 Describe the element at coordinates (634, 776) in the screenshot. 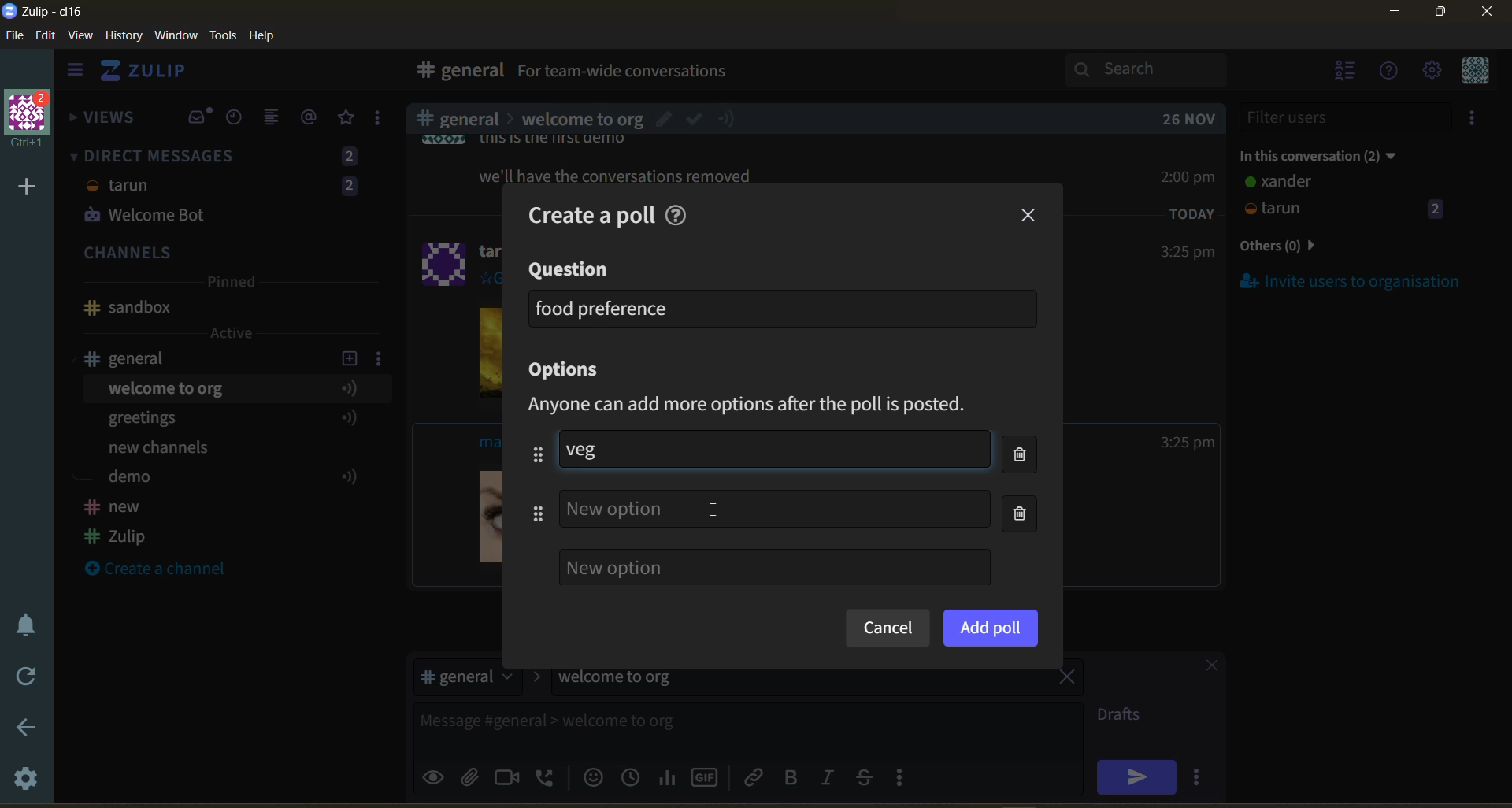

I see `add global time` at that location.